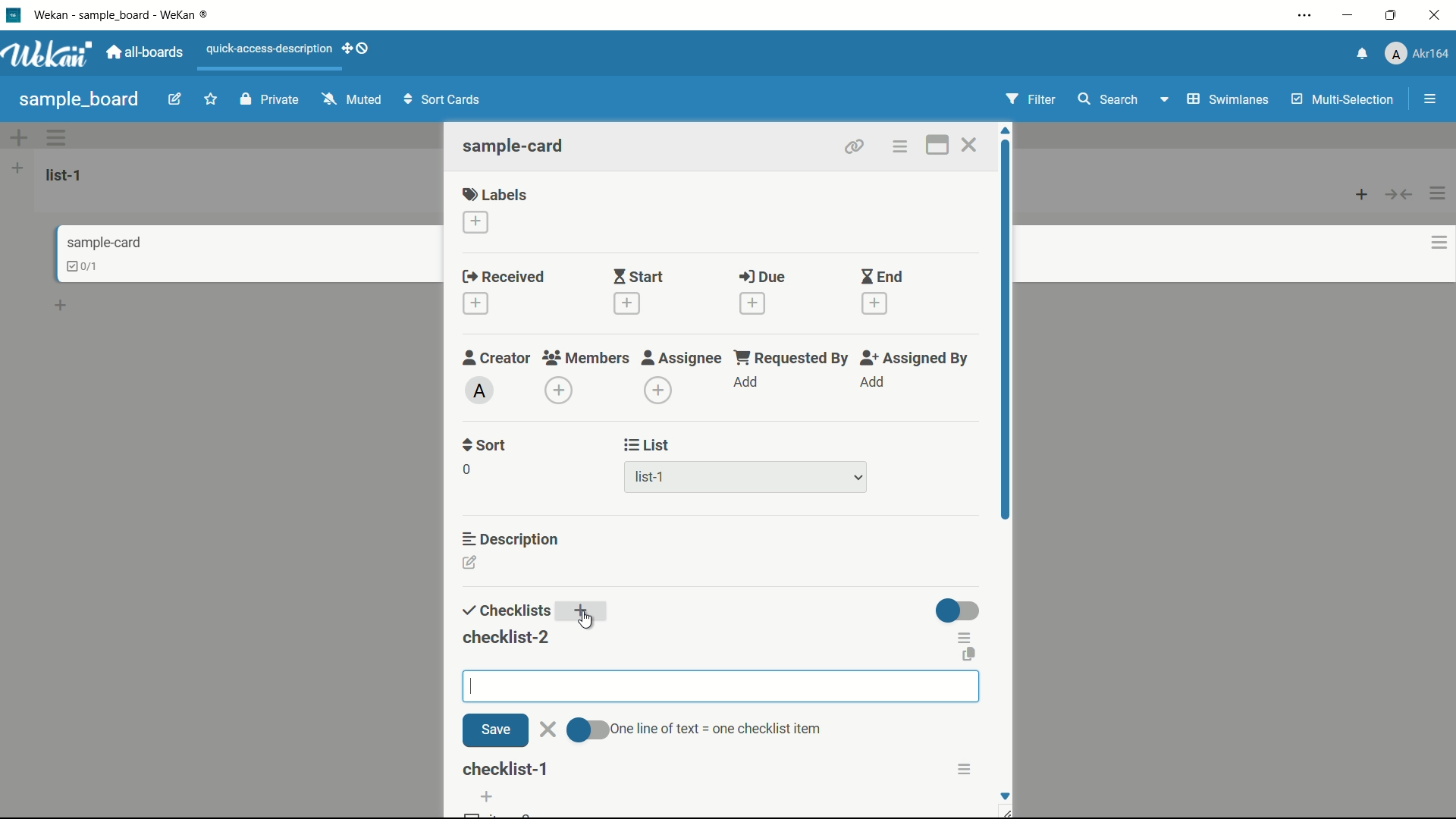 Image resolution: width=1456 pixels, height=819 pixels. I want to click on add date, so click(475, 304).